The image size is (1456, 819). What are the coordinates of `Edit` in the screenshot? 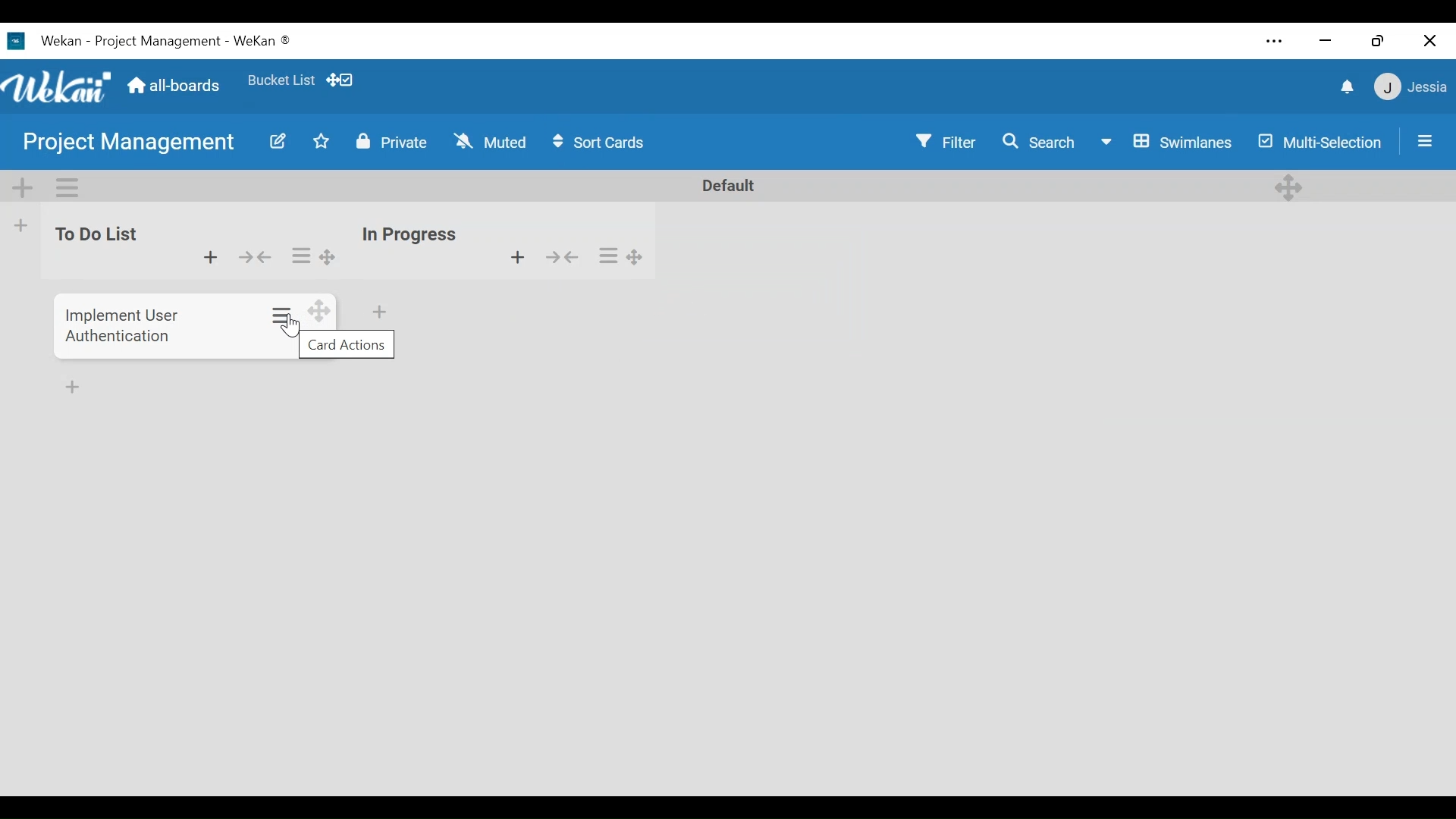 It's located at (277, 143).